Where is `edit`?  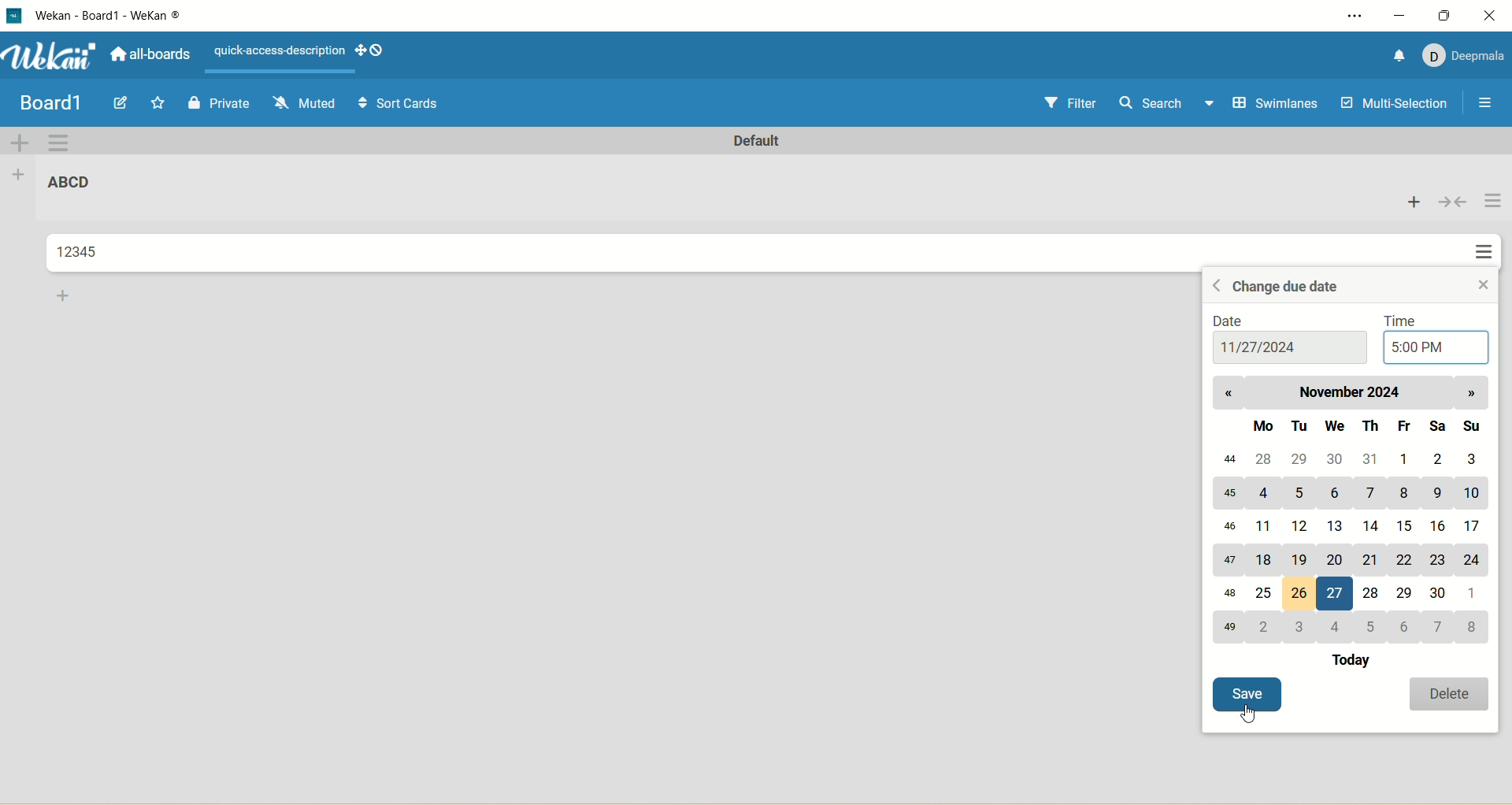 edit is located at coordinates (124, 103).